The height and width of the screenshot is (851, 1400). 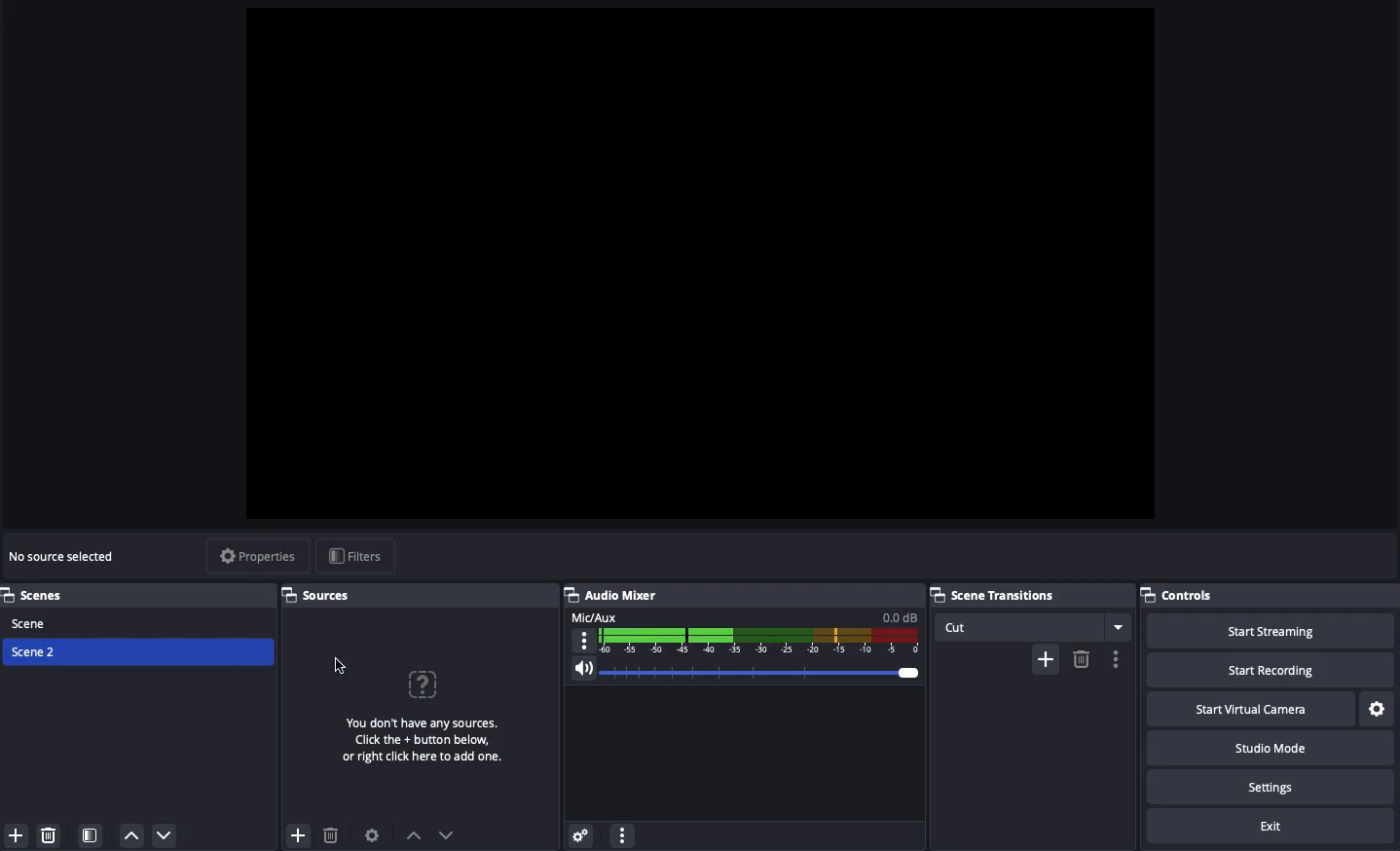 What do you see at coordinates (1265, 669) in the screenshot?
I see `Start recording` at bounding box center [1265, 669].